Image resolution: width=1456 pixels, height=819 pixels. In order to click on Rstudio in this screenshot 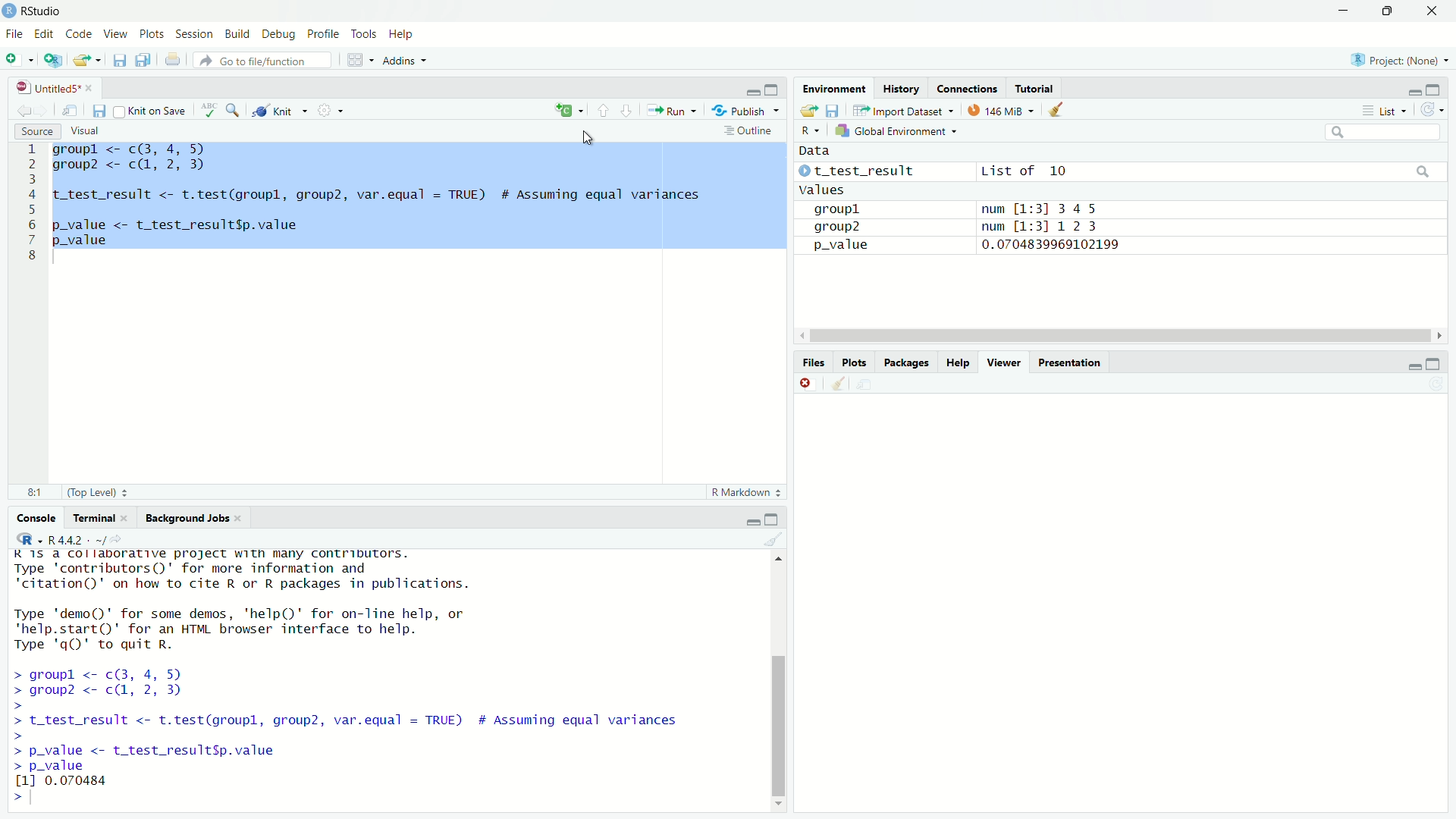, I will do `click(44, 9)`.